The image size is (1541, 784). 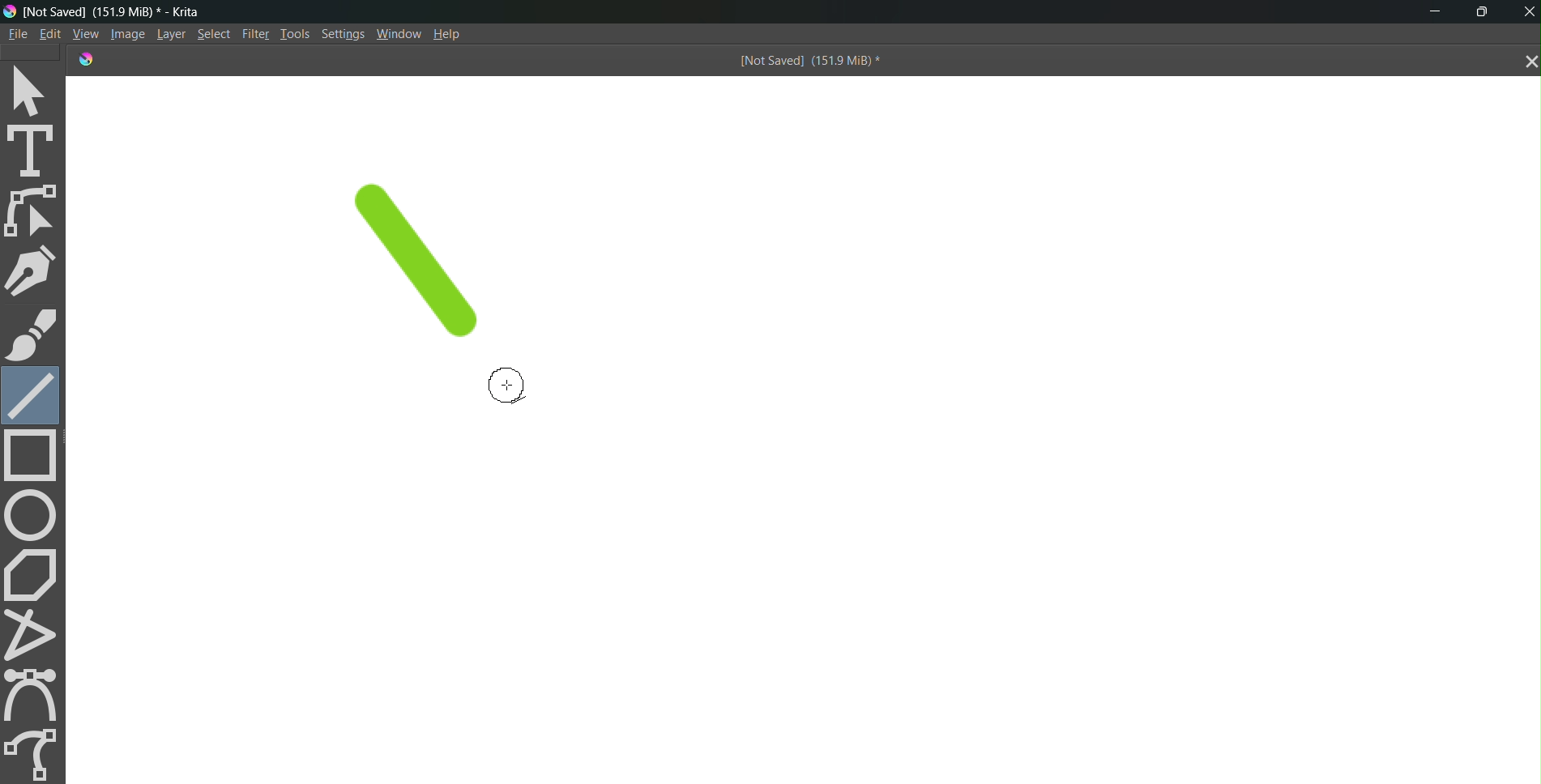 What do you see at coordinates (32, 334) in the screenshot?
I see `brush` at bounding box center [32, 334].